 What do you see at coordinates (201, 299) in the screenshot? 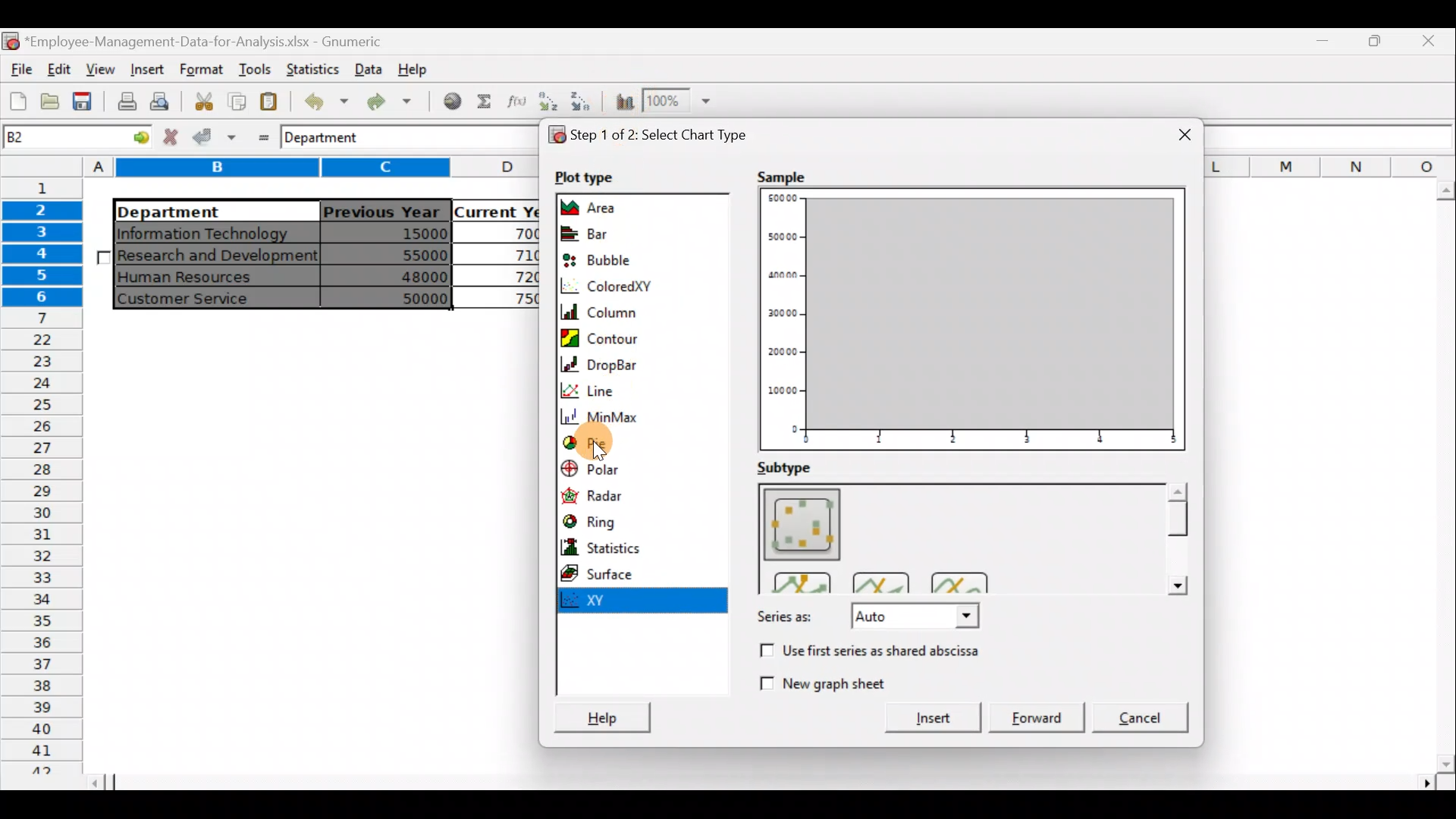
I see `Customer Service` at bounding box center [201, 299].